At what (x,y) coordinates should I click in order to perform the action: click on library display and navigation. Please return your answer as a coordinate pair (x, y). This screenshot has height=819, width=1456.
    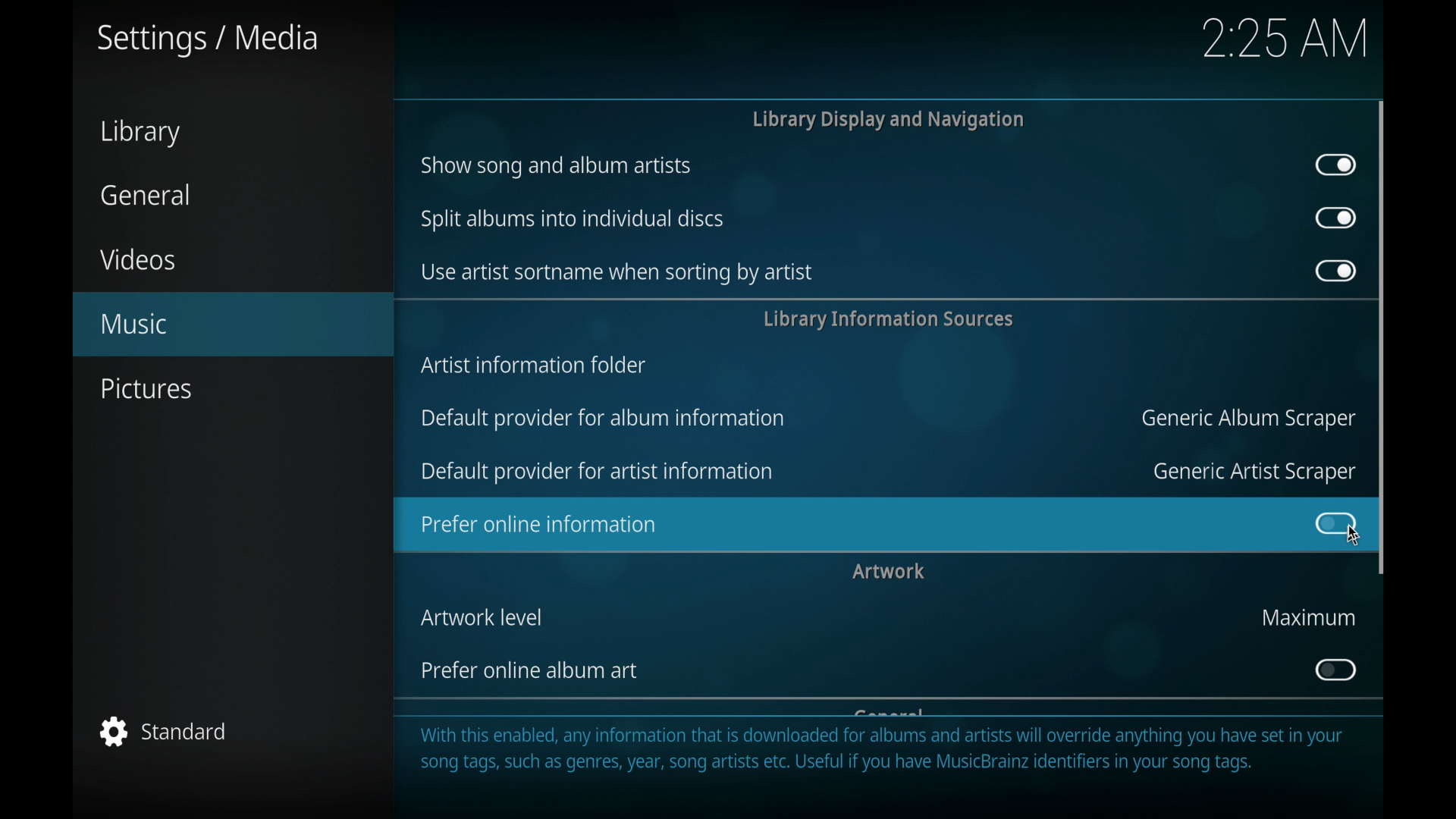
    Looking at the image, I should click on (887, 120).